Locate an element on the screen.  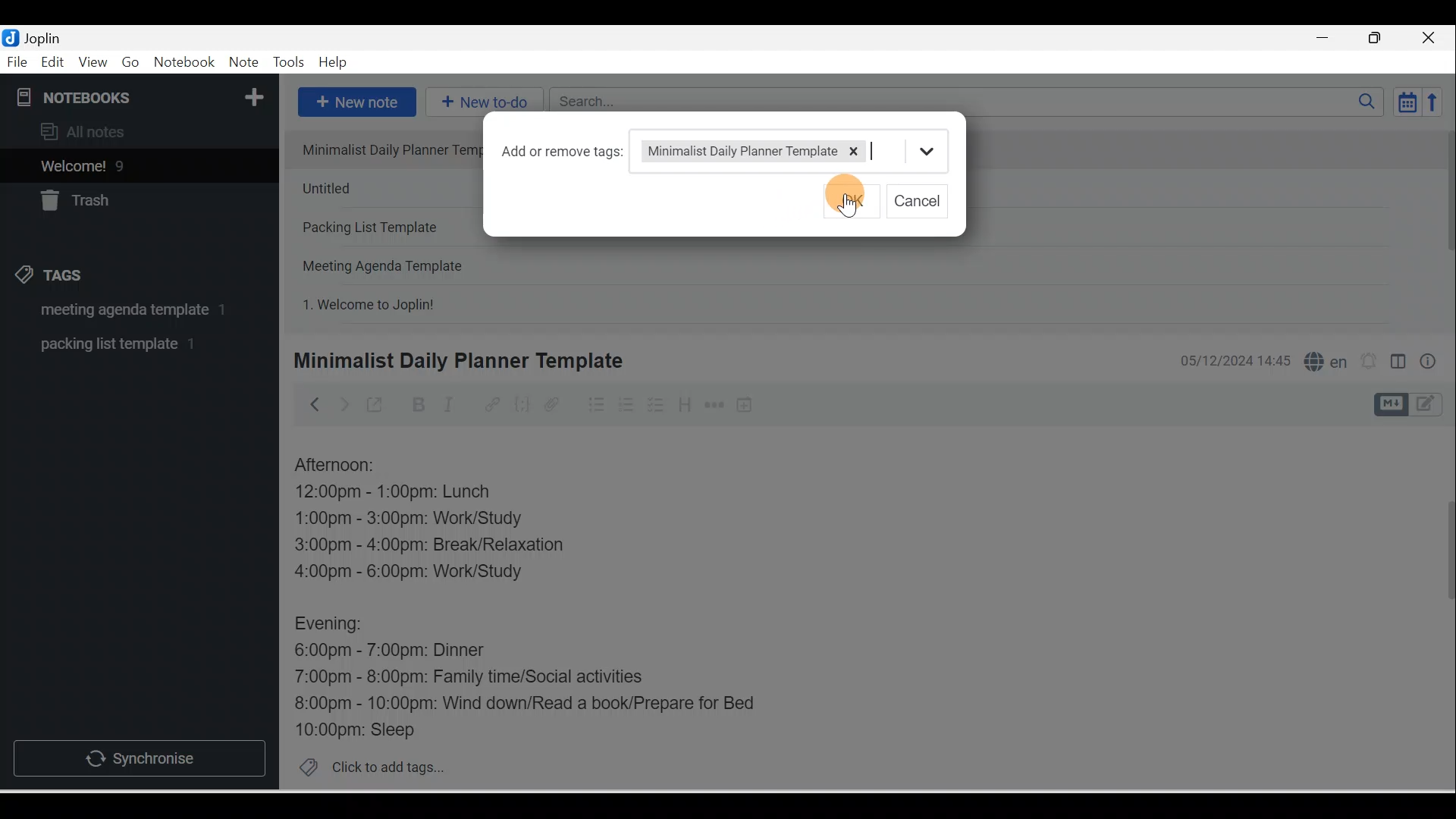
Checkbox is located at coordinates (654, 405).